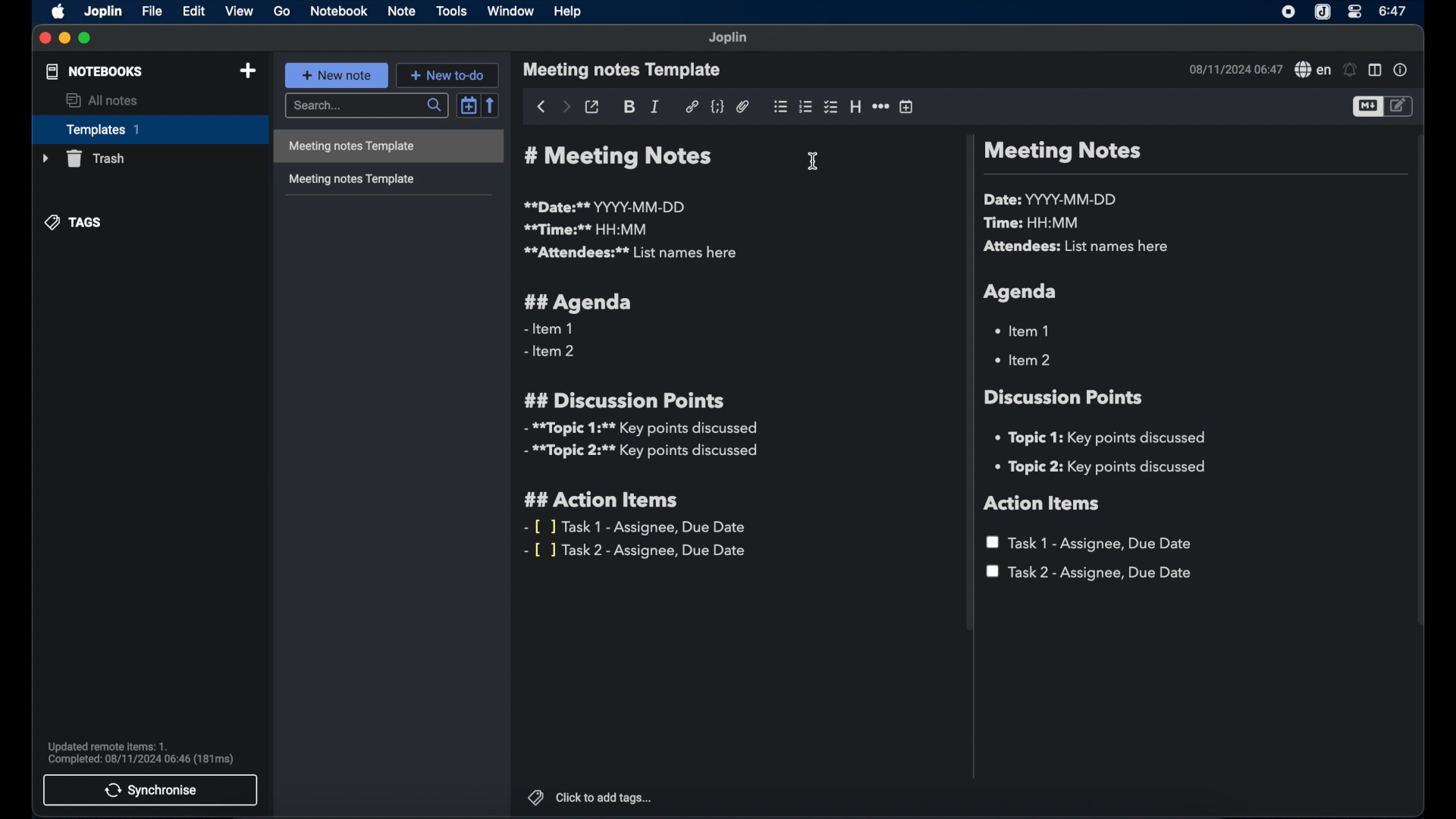 The image size is (1456, 819). I want to click on checkbox, so click(830, 107).